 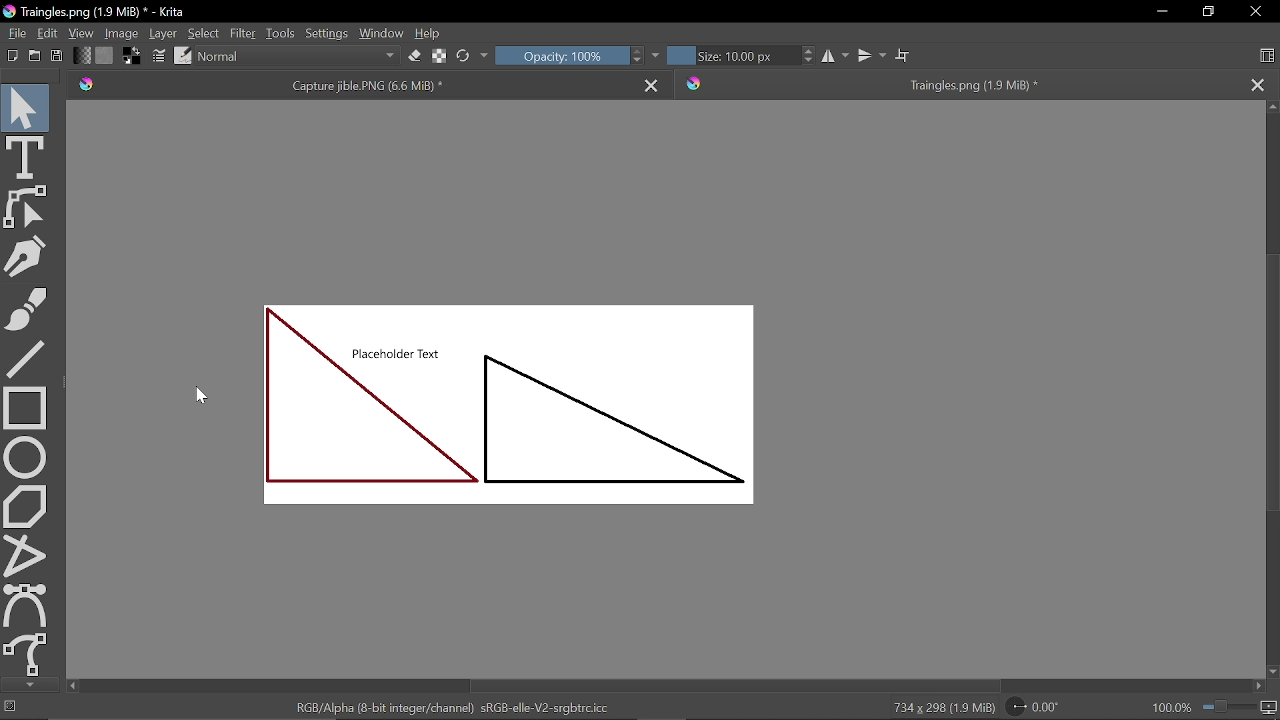 What do you see at coordinates (28, 255) in the screenshot?
I see `Caligraphy` at bounding box center [28, 255].